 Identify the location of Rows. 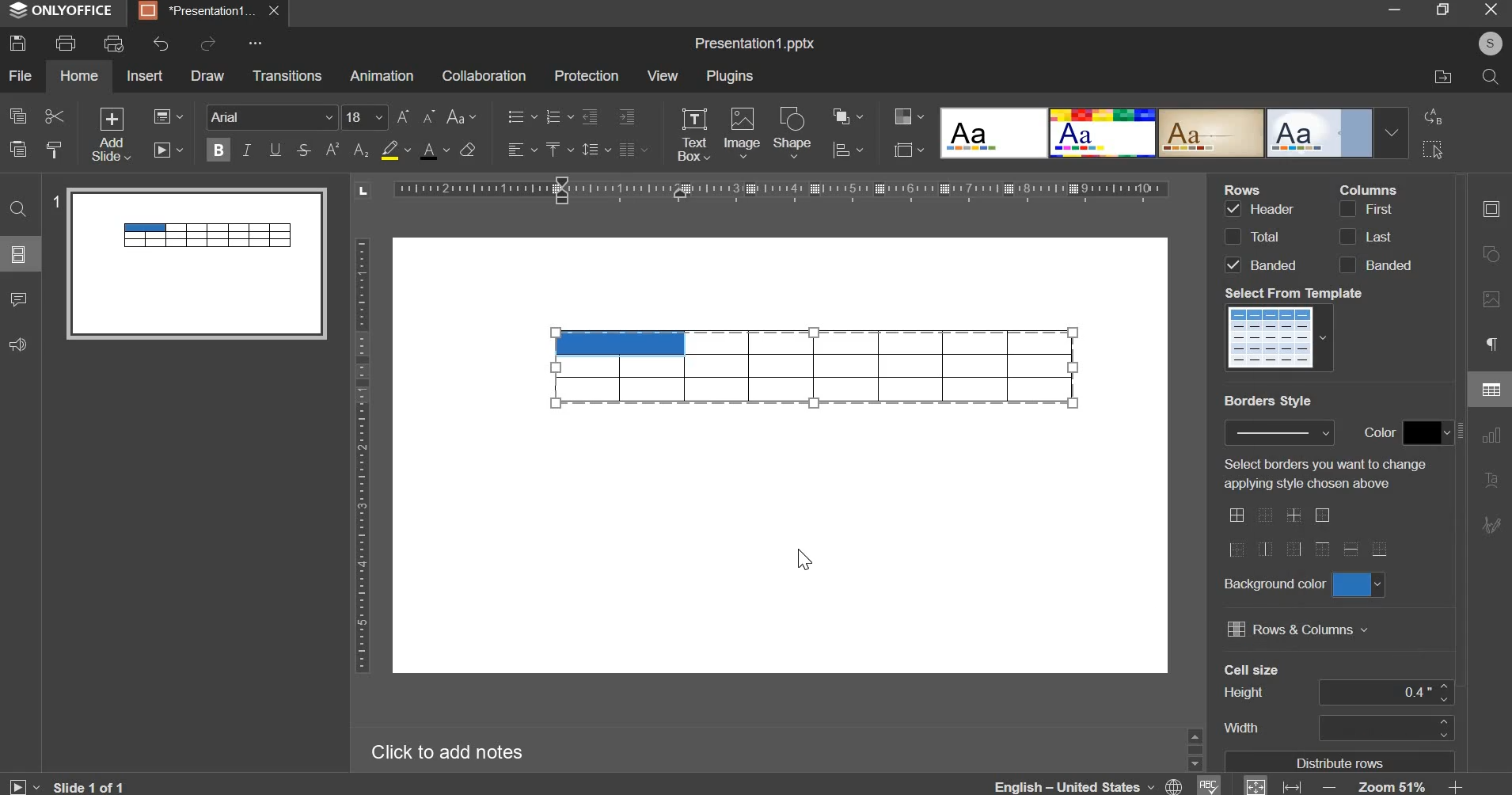
(1246, 188).